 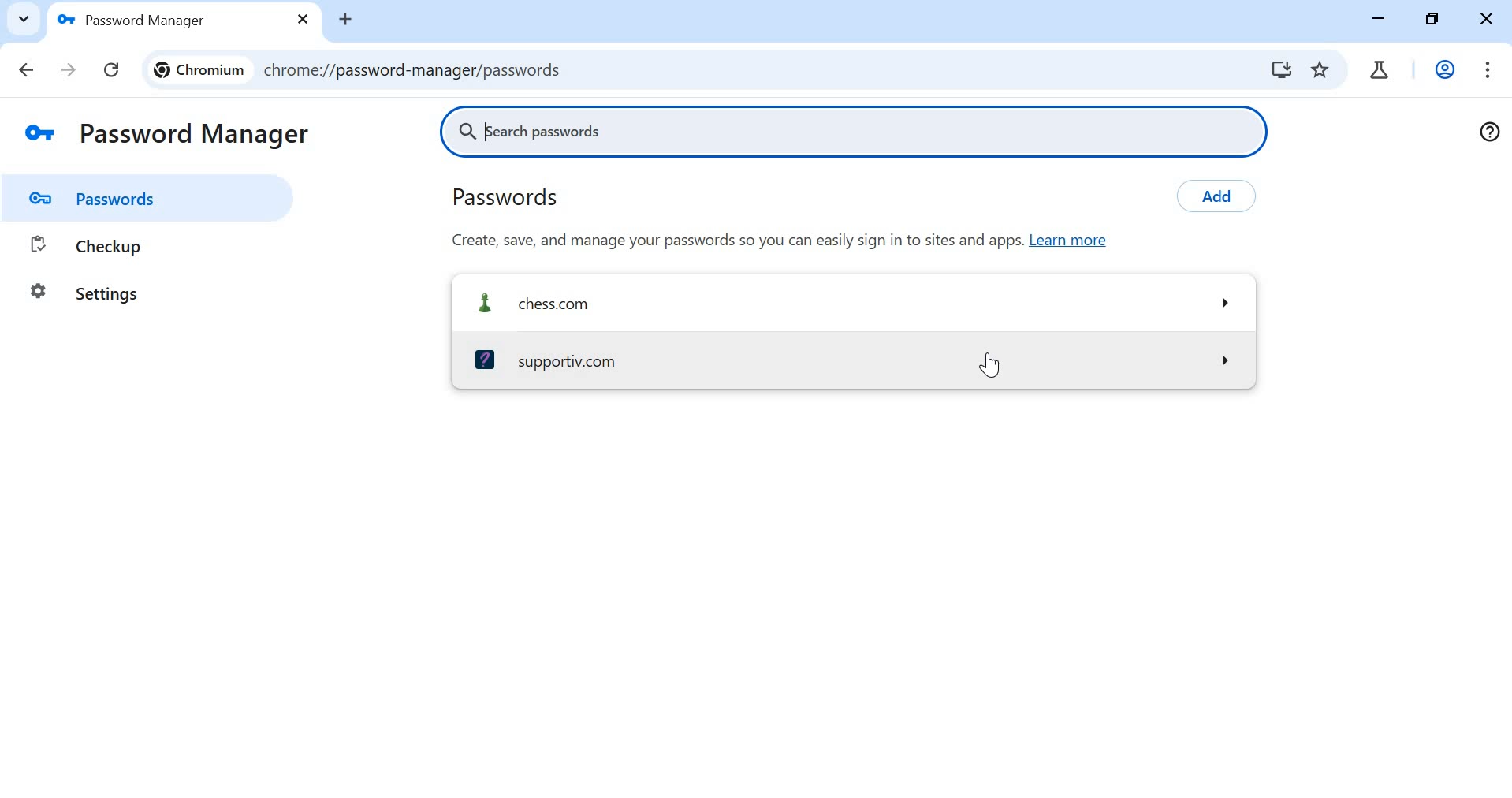 What do you see at coordinates (1443, 69) in the screenshot?
I see `work` at bounding box center [1443, 69].